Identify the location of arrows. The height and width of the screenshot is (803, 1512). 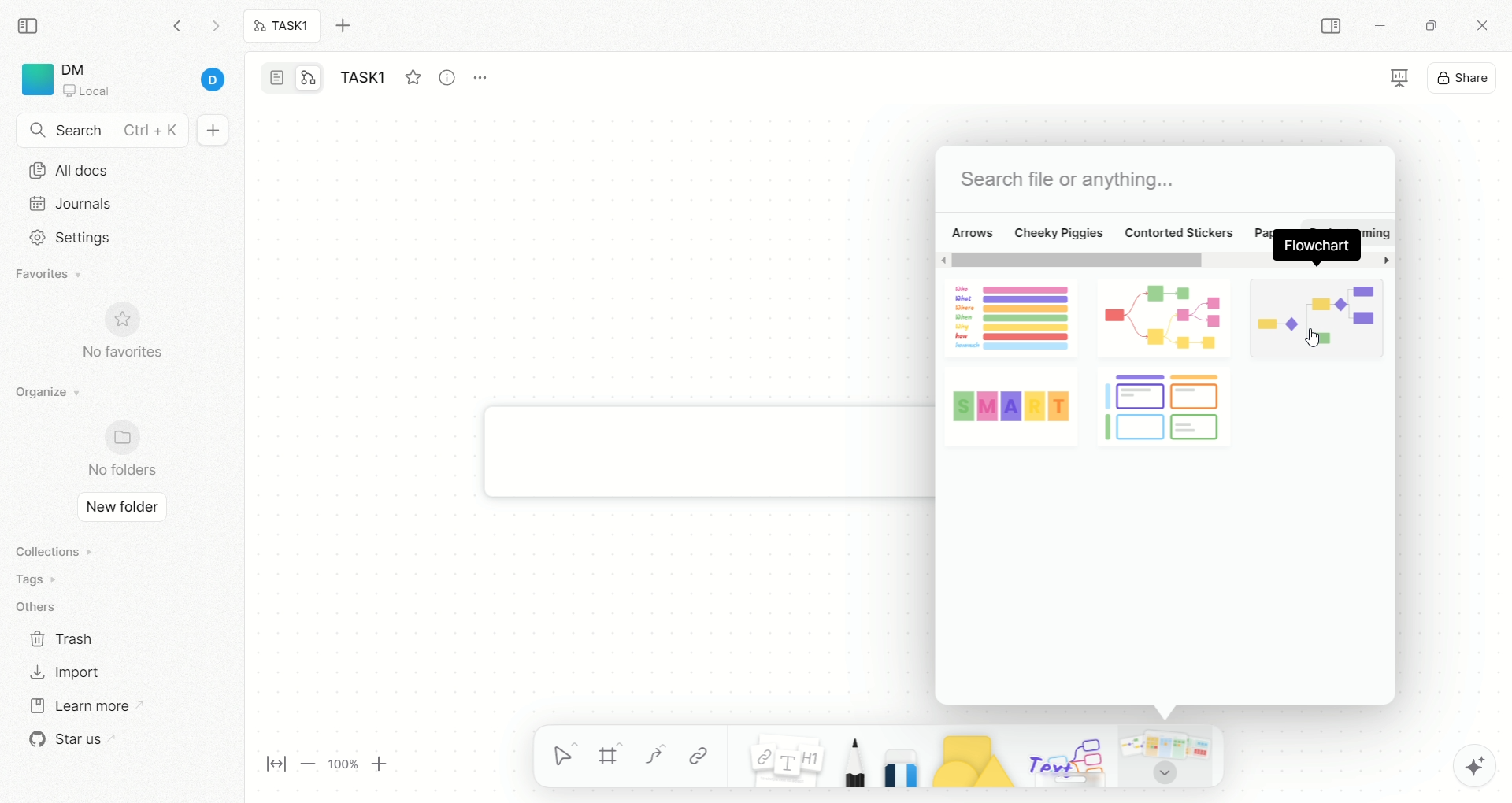
(971, 231).